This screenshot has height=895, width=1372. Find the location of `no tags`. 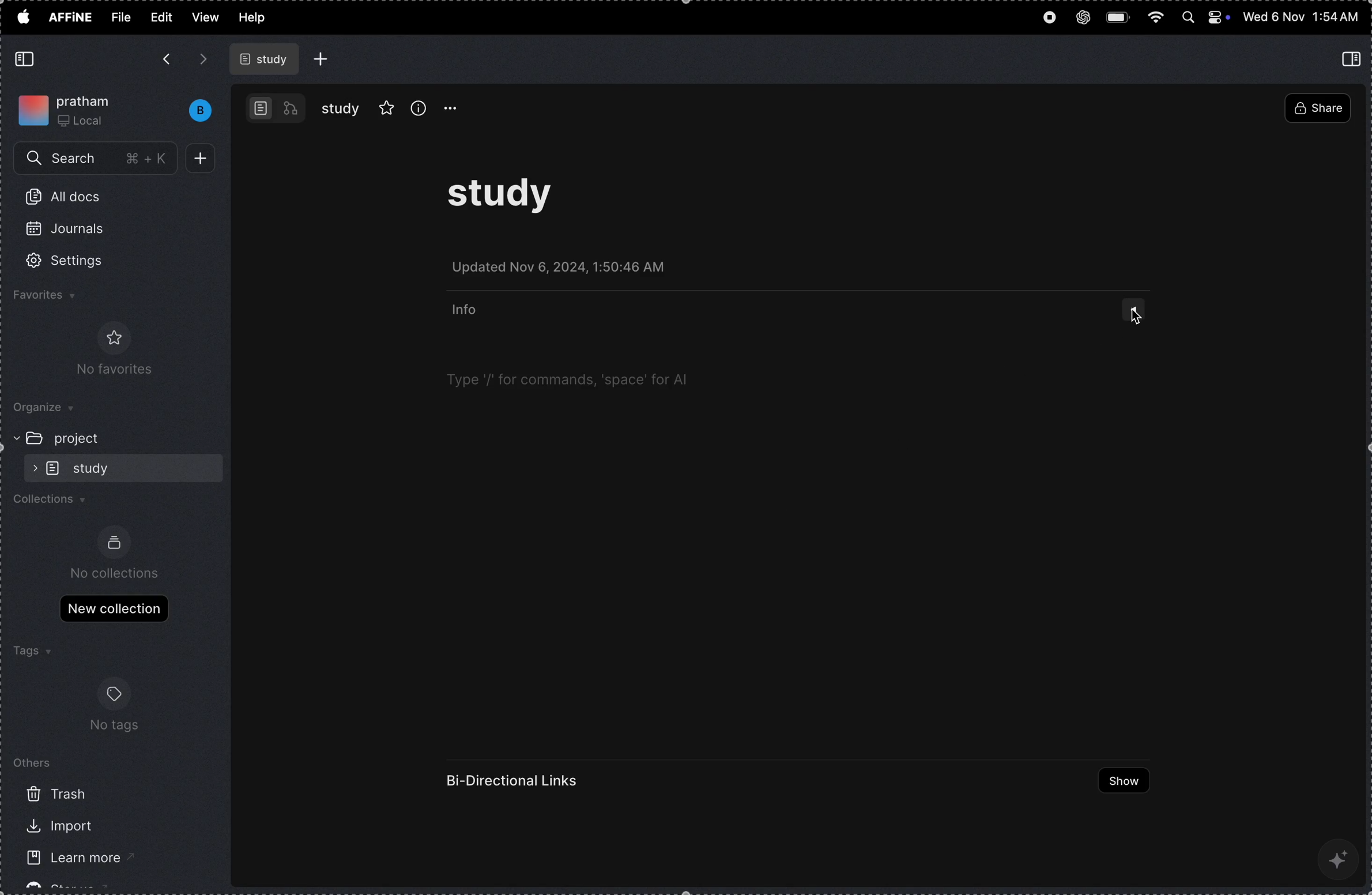

no tags is located at coordinates (114, 731).